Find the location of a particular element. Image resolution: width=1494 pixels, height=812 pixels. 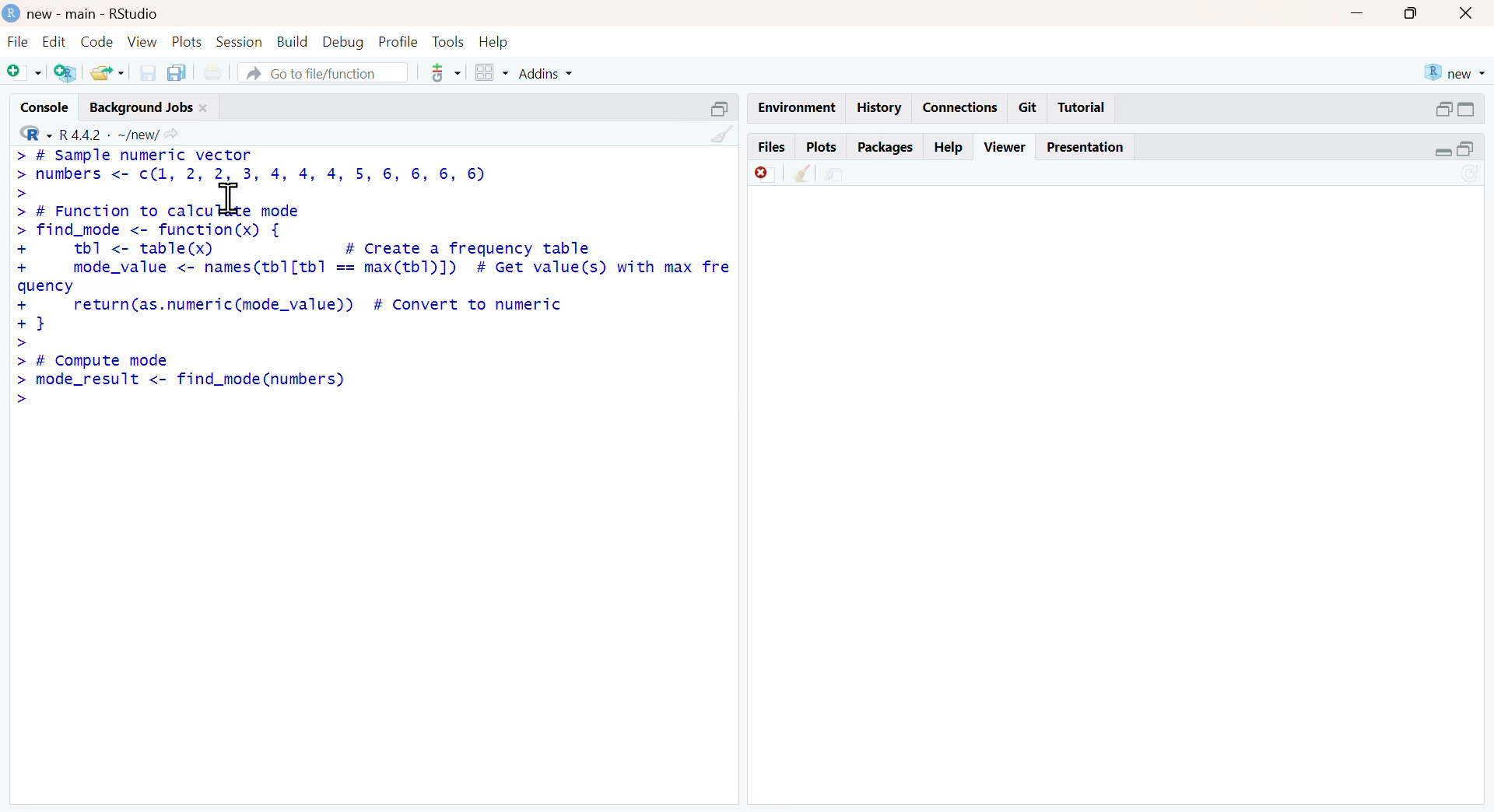

share icon is located at coordinates (171, 135).